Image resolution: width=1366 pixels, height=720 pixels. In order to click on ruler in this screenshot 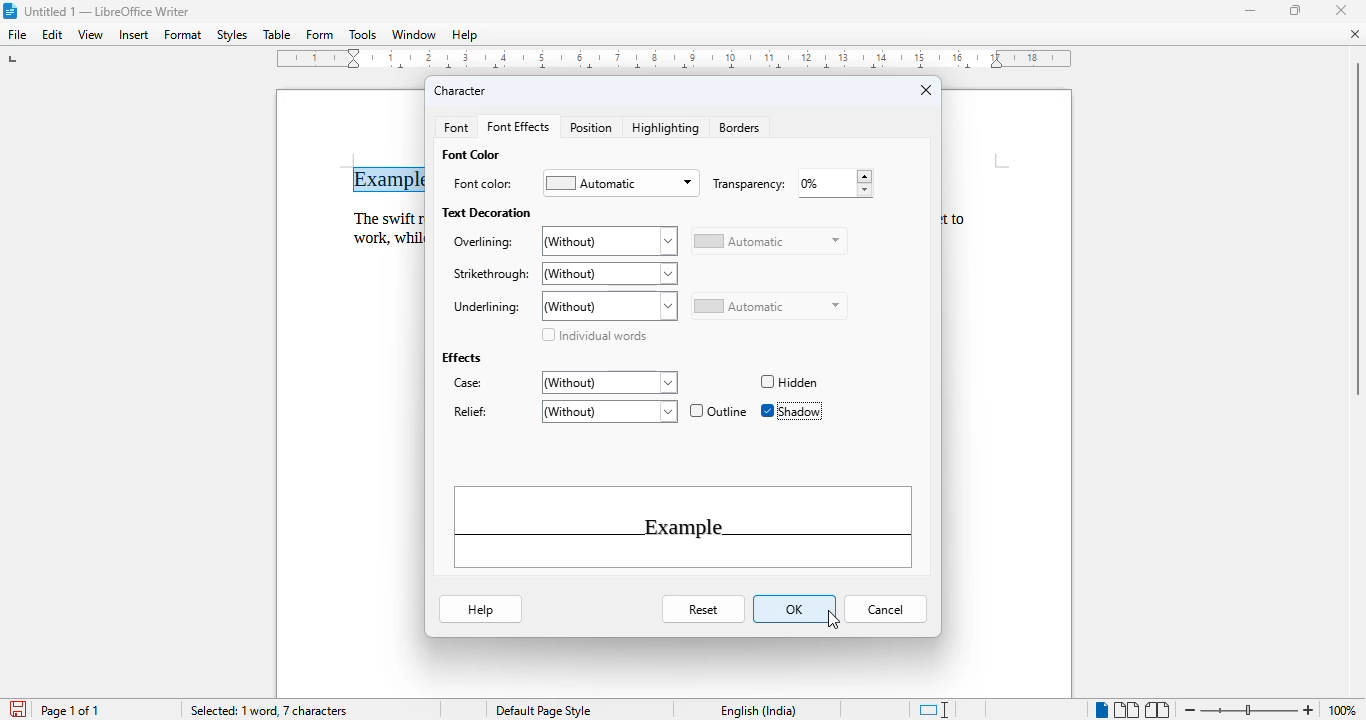, I will do `click(679, 62)`.